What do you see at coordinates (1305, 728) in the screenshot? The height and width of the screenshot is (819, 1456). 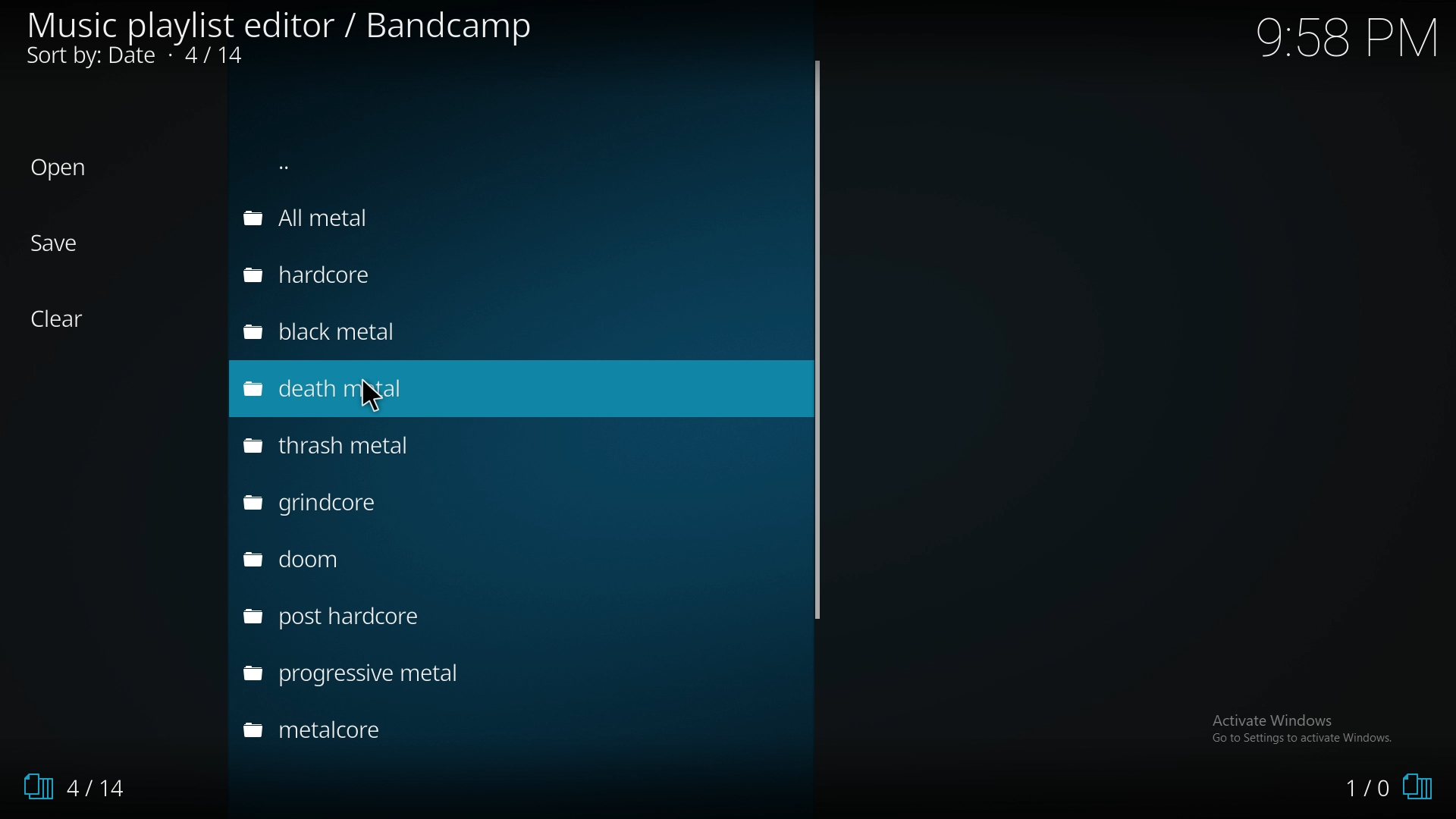 I see `Activate Windows, Go to settings to activate windows` at bounding box center [1305, 728].